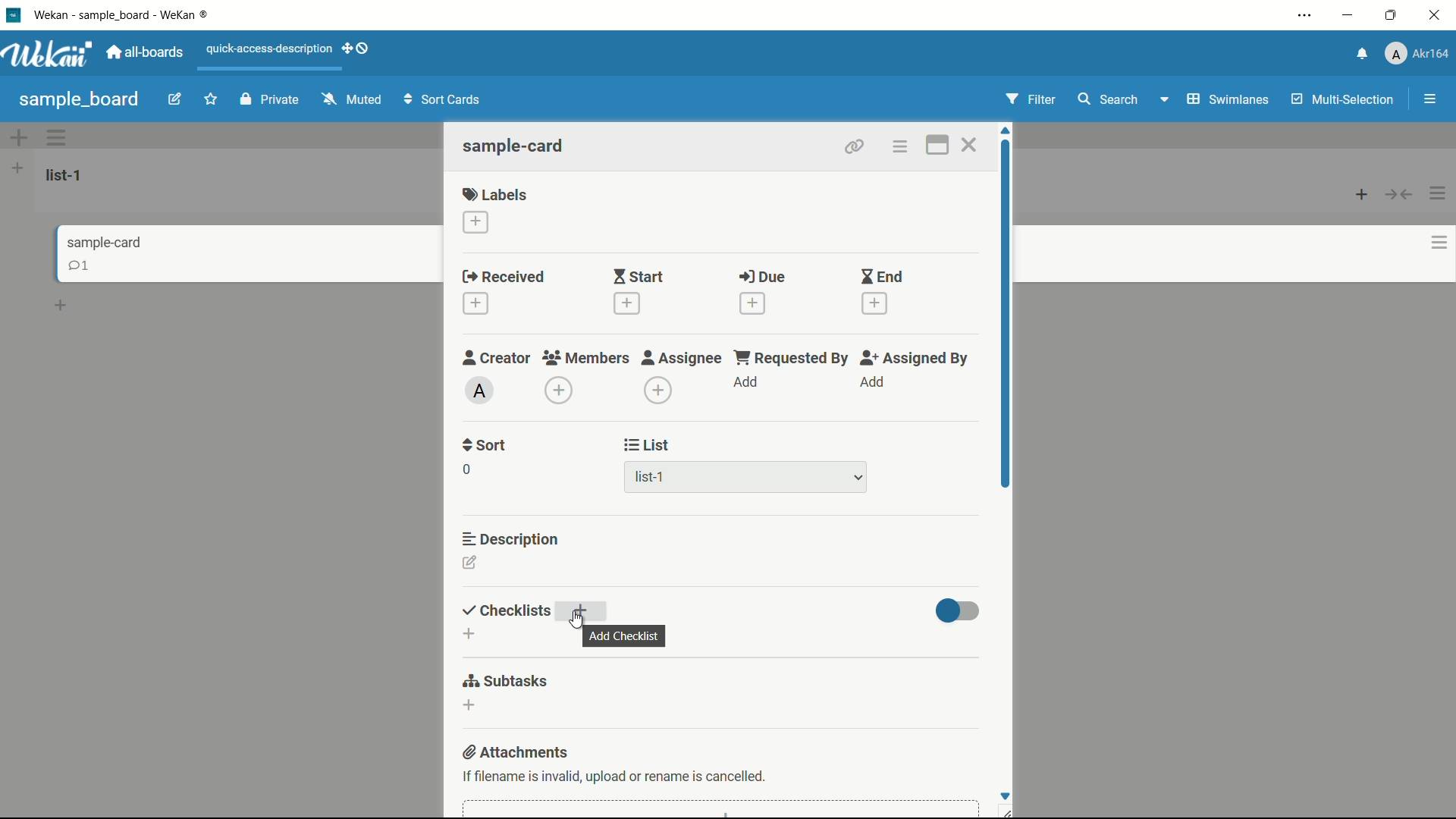 The image size is (1456, 819). Describe the element at coordinates (516, 751) in the screenshot. I see `attachments` at that location.